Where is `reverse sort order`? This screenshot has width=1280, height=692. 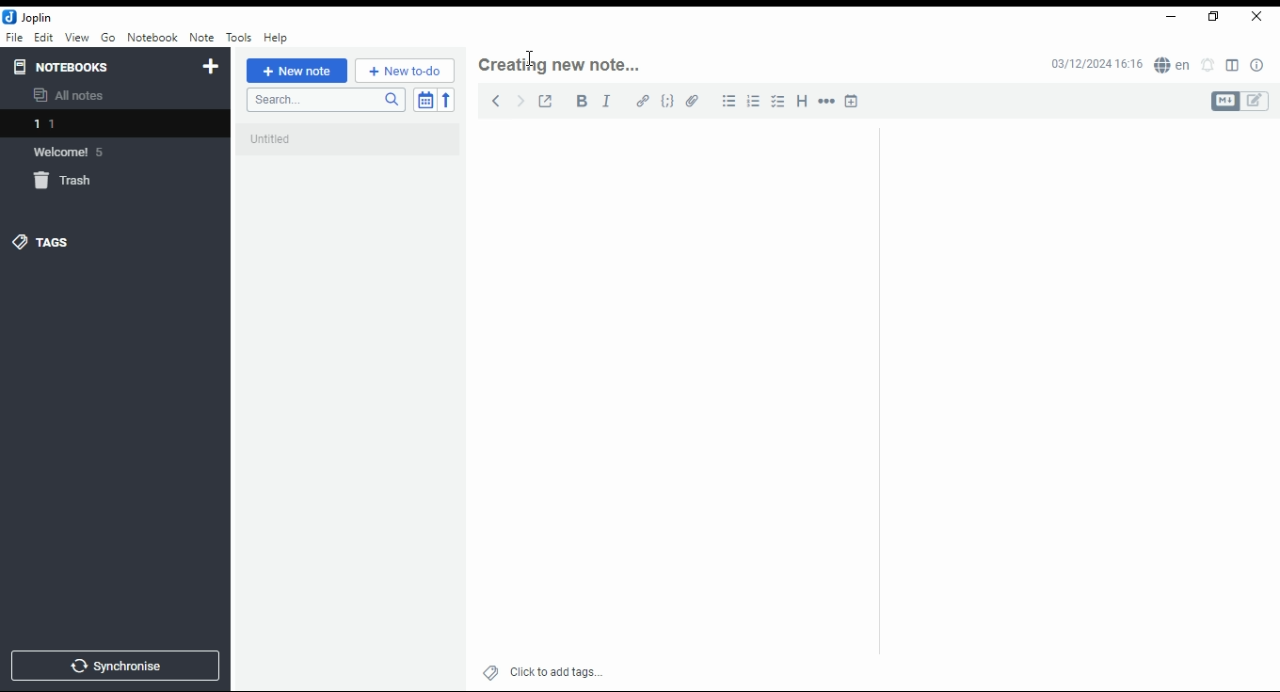
reverse sort order is located at coordinates (446, 100).